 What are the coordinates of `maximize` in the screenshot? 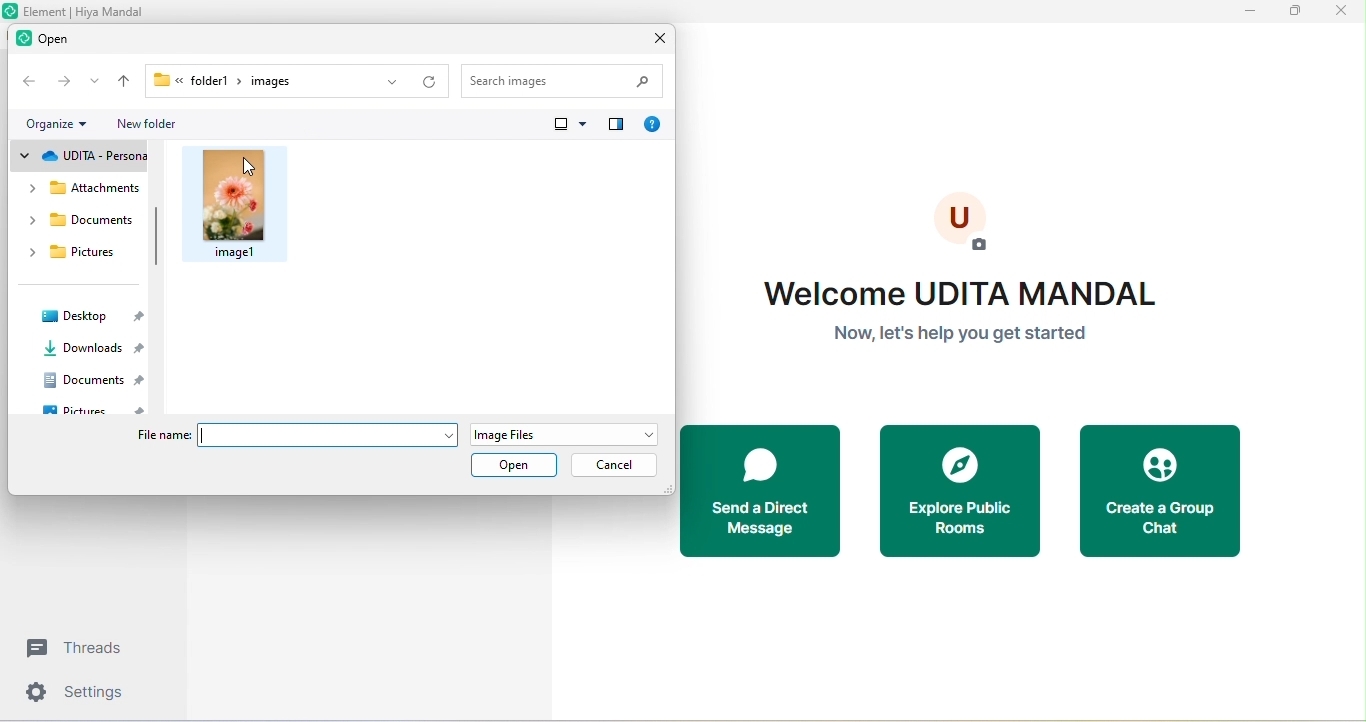 It's located at (1294, 12).